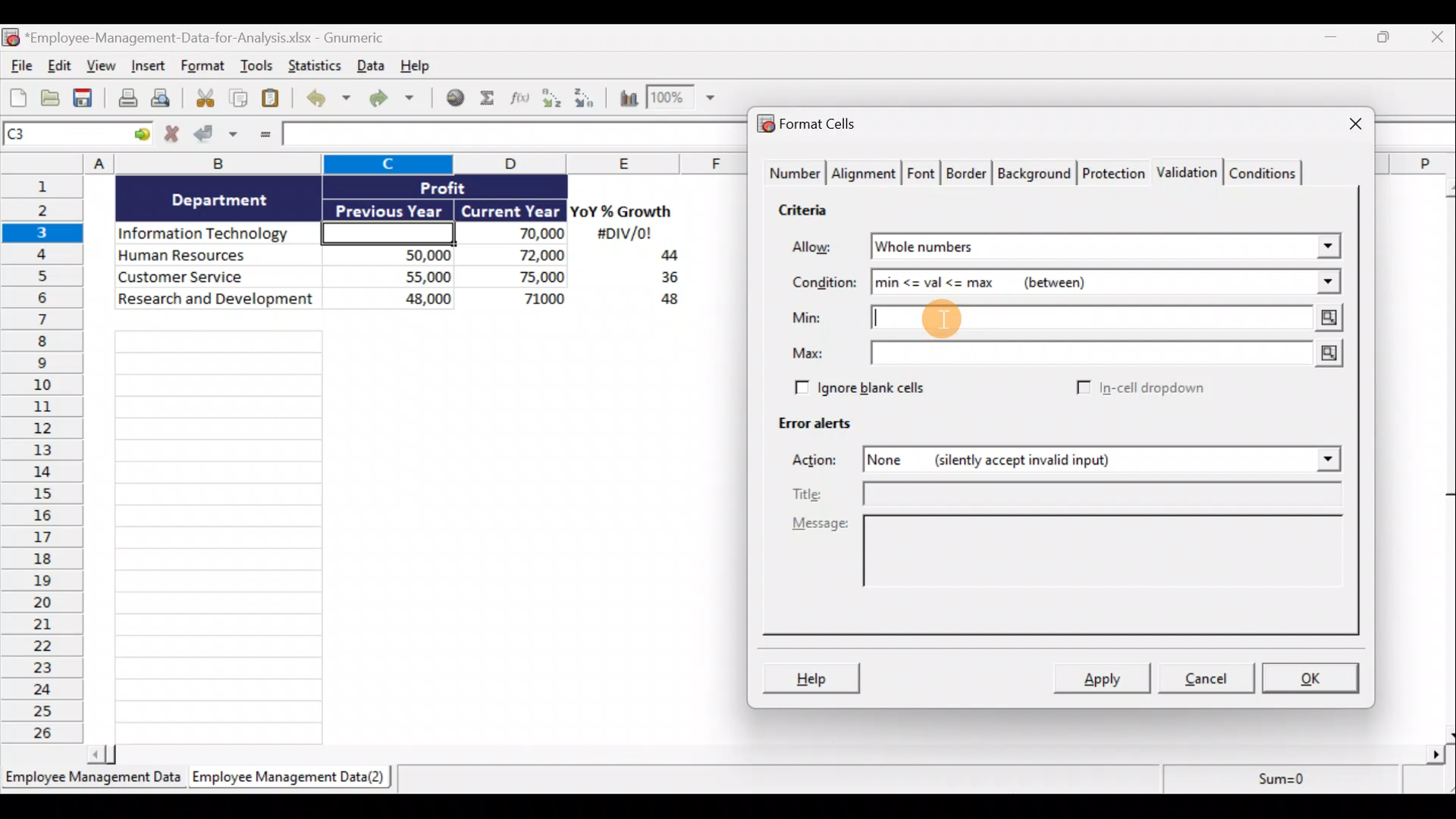 The image size is (1456, 819). Describe the element at coordinates (1103, 353) in the screenshot. I see `Max value` at that location.